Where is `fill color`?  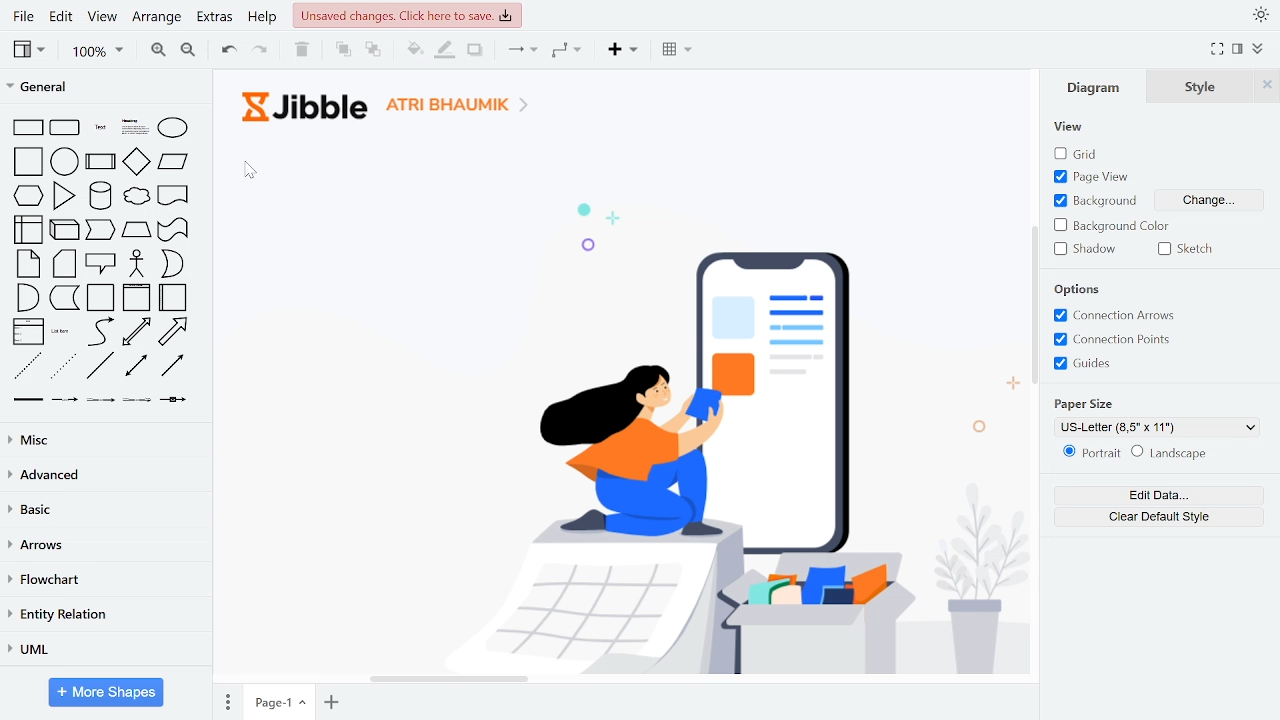 fill color is located at coordinates (412, 49).